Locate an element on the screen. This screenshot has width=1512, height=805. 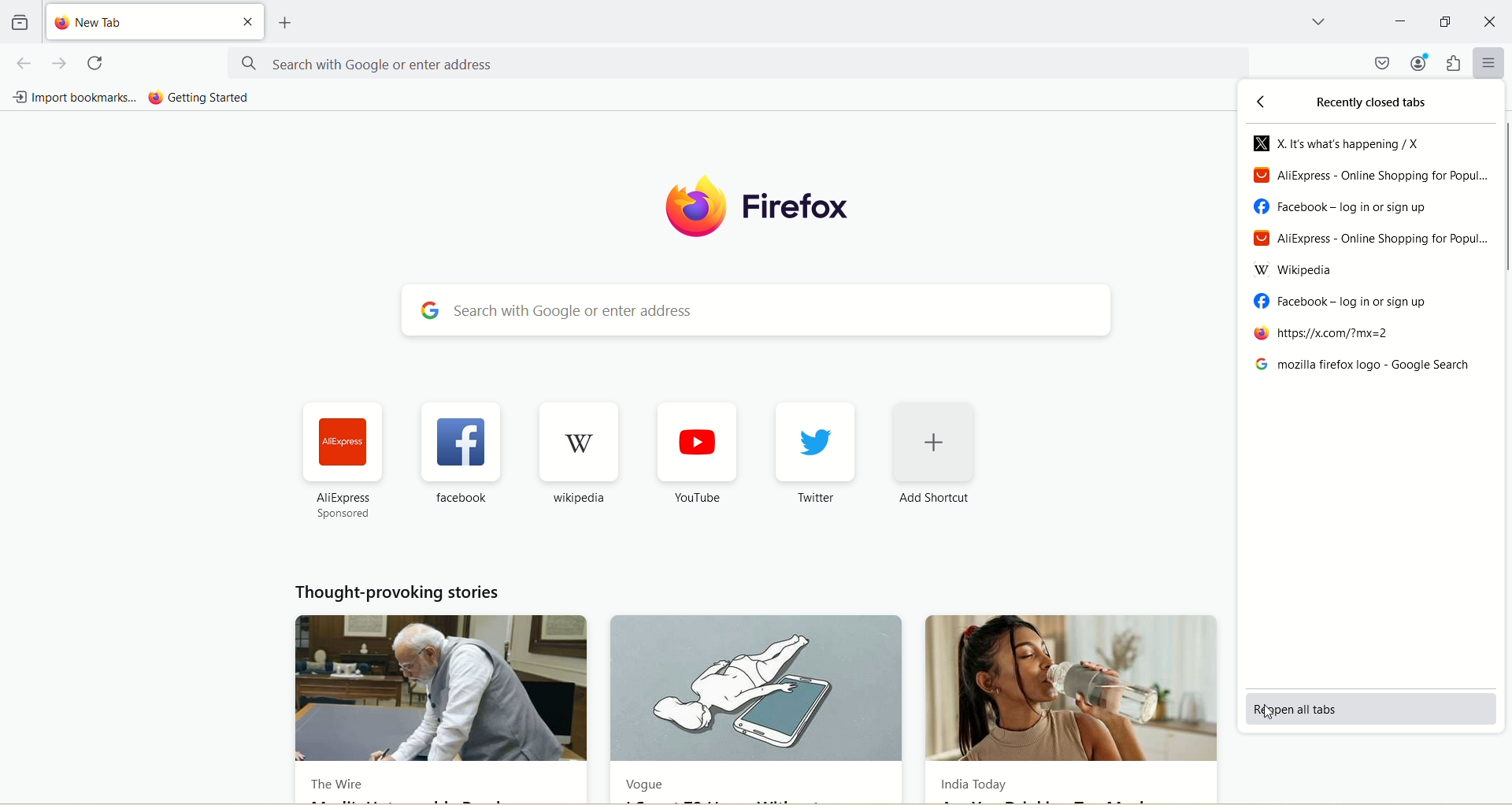
recently closed tabs is located at coordinates (1399, 104).